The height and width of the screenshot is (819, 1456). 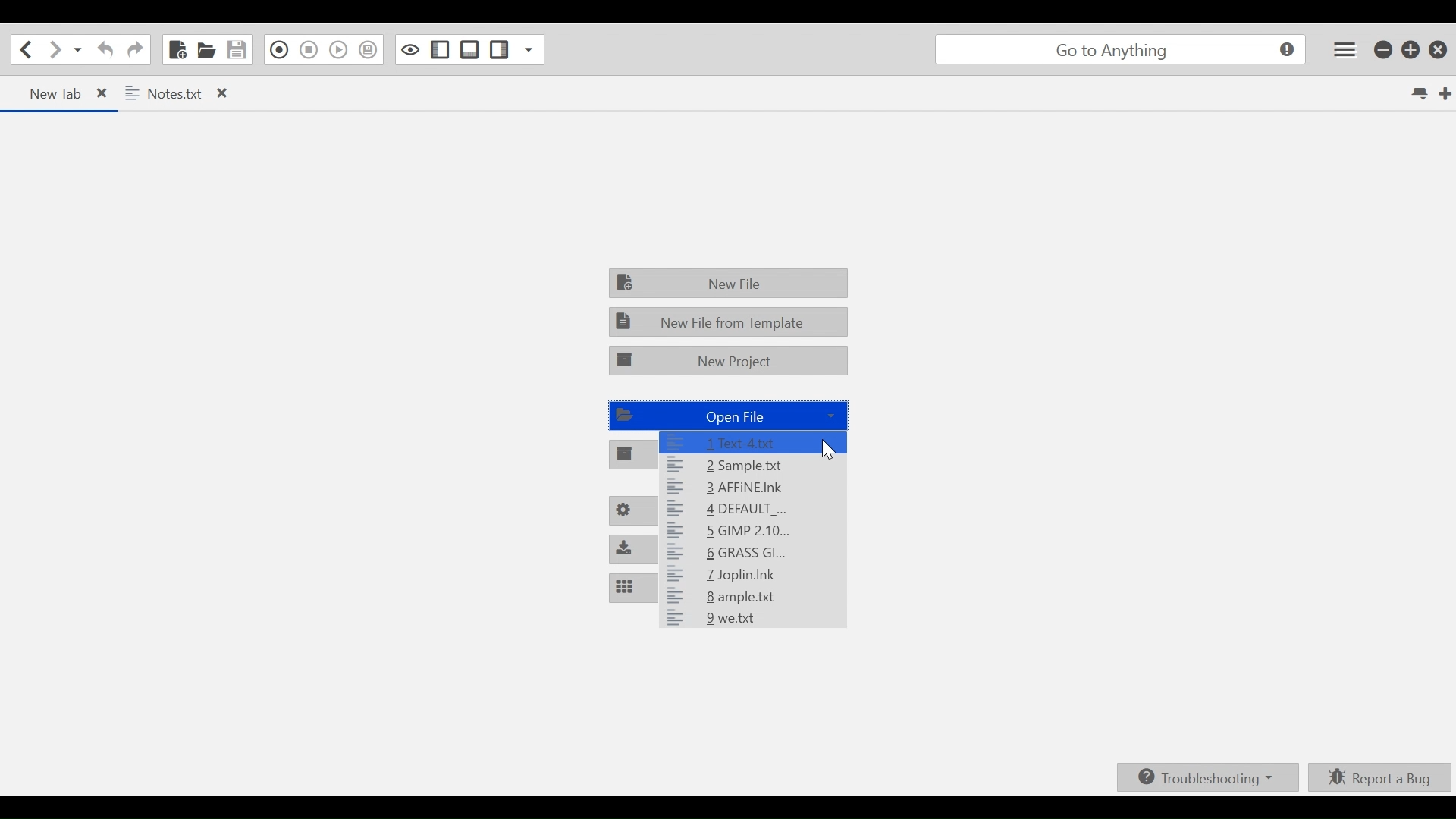 What do you see at coordinates (727, 284) in the screenshot?
I see `New File` at bounding box center [727, 284].